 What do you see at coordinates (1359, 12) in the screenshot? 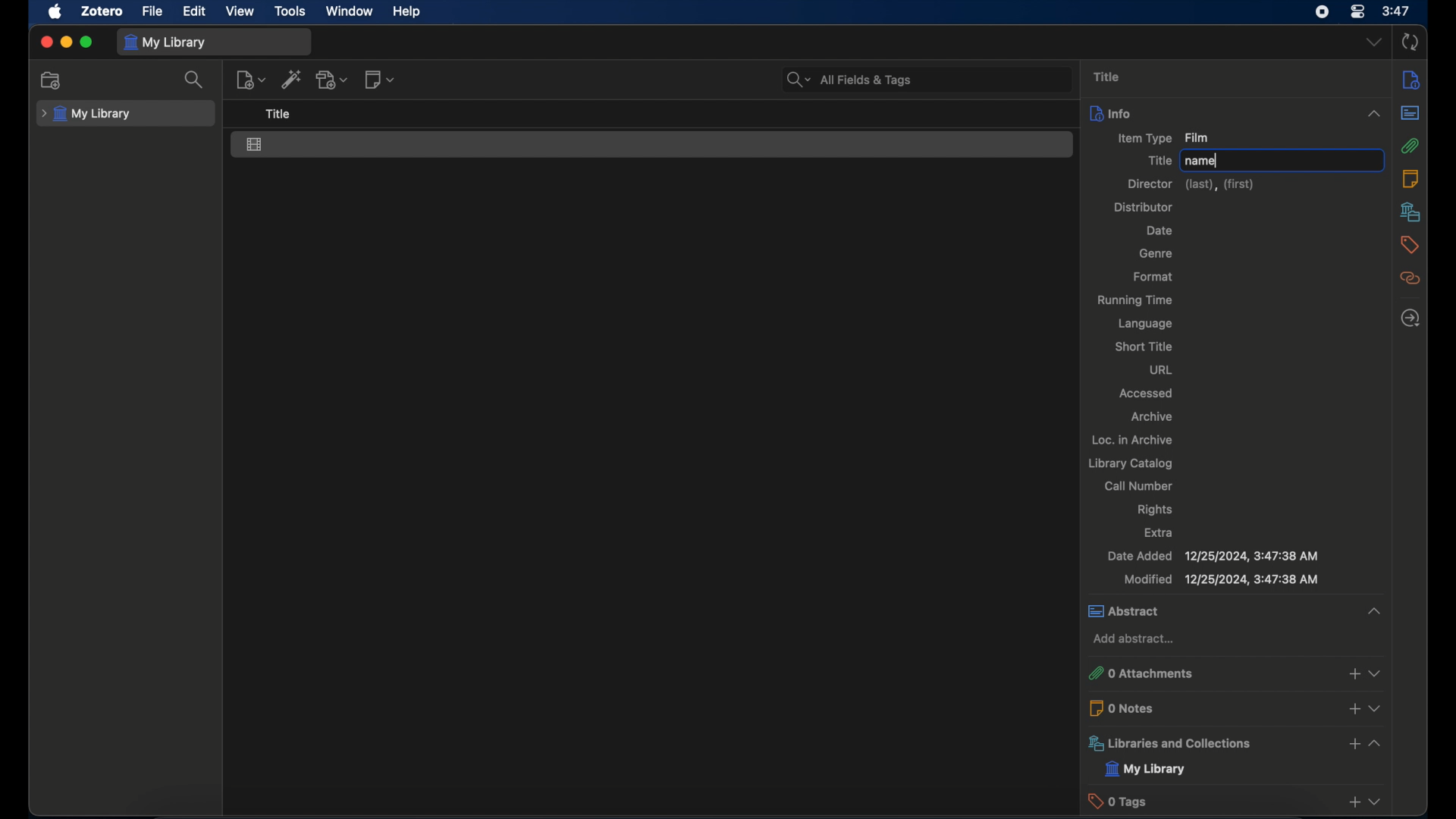
I see `control center` at bounding box center [1359, 12].